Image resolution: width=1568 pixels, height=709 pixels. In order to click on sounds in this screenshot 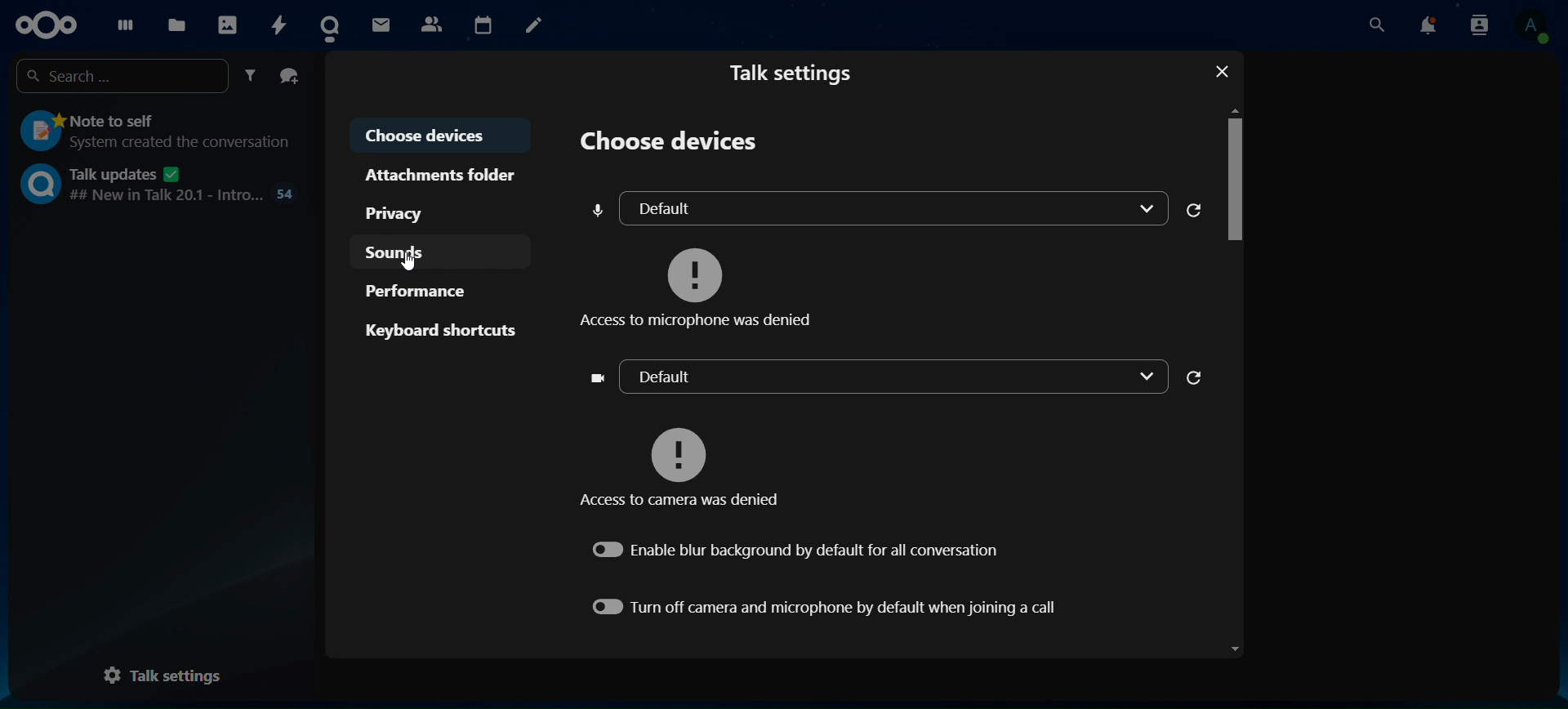, I will do `click(403, 254)`.